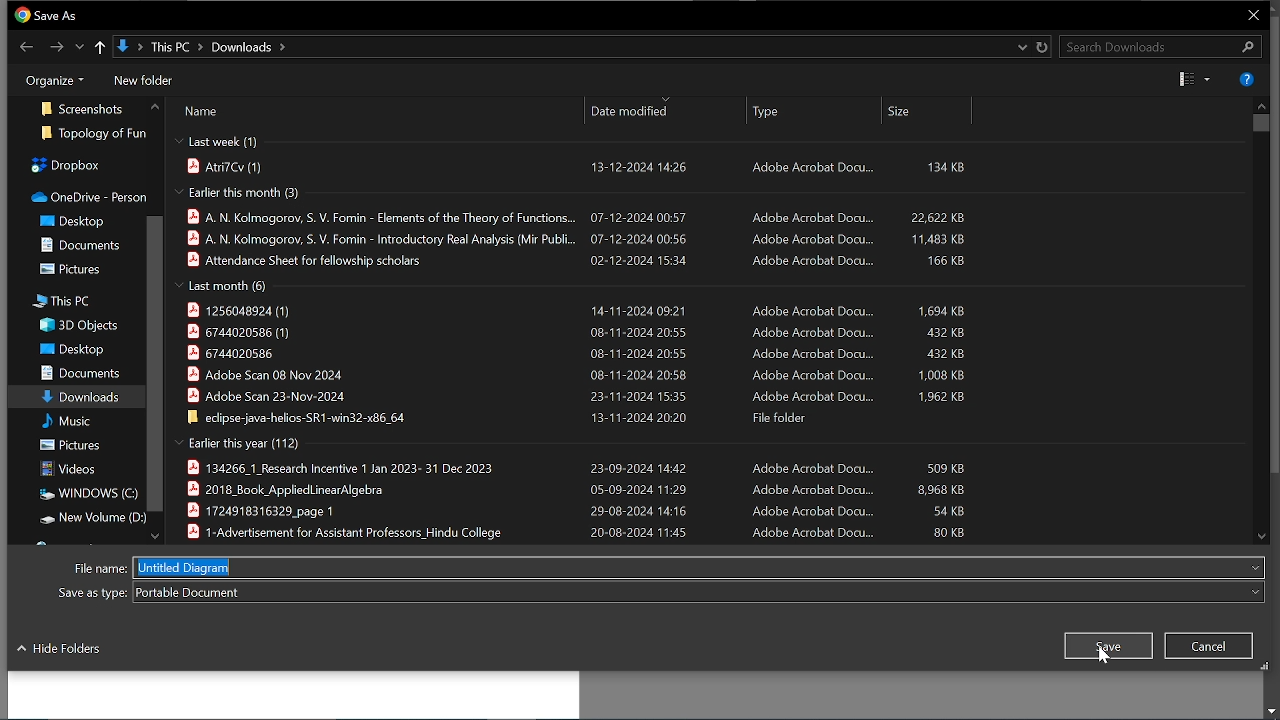 The image size is (1280, 720). Describe the element at coordinates (313, 262) in the screenshot. I see `| Attendance Sheet for fellowship scholars` at that location.